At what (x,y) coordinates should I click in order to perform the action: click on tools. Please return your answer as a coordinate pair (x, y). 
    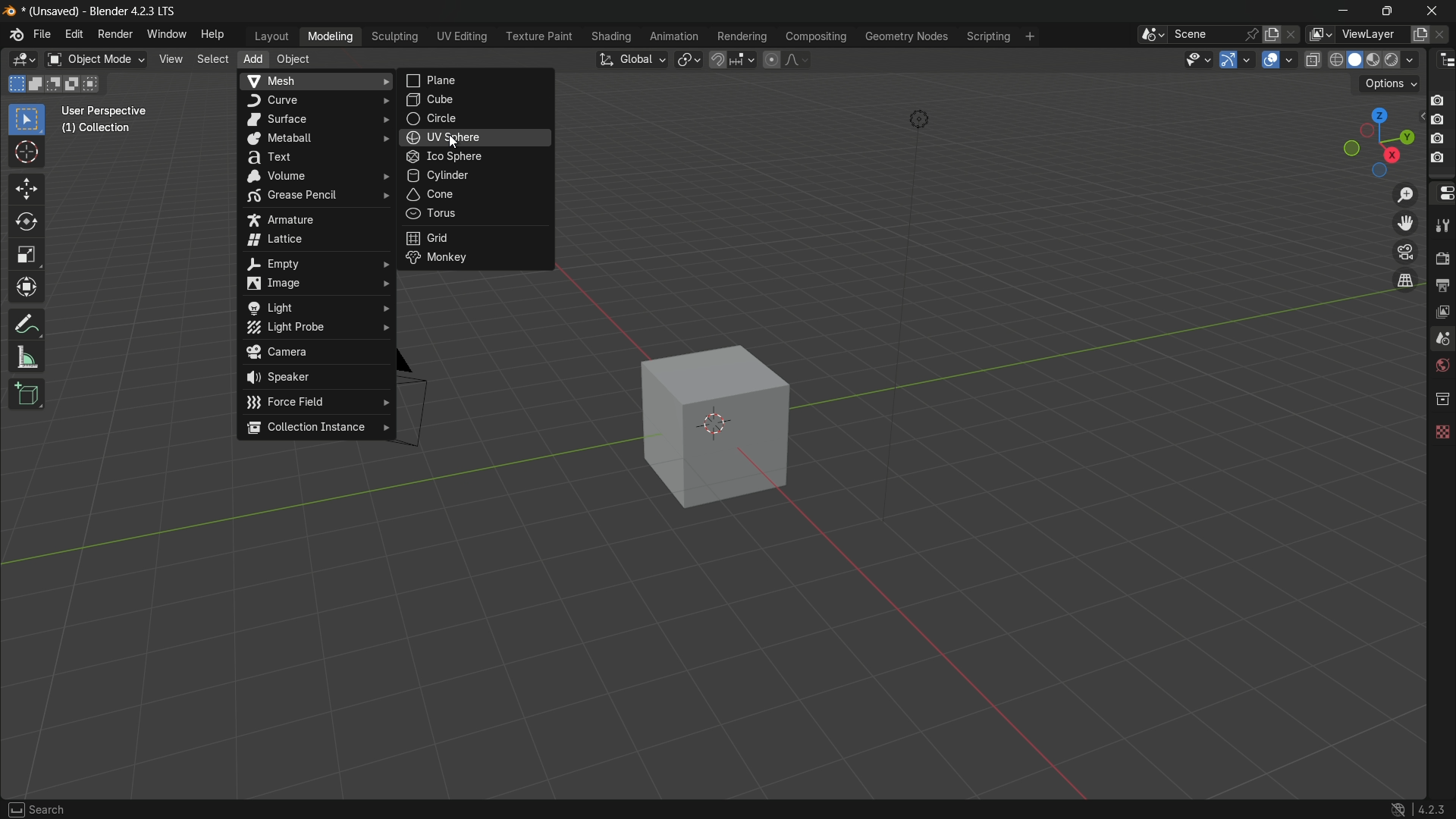
    Looking at the image, I should click on (1442, 223).